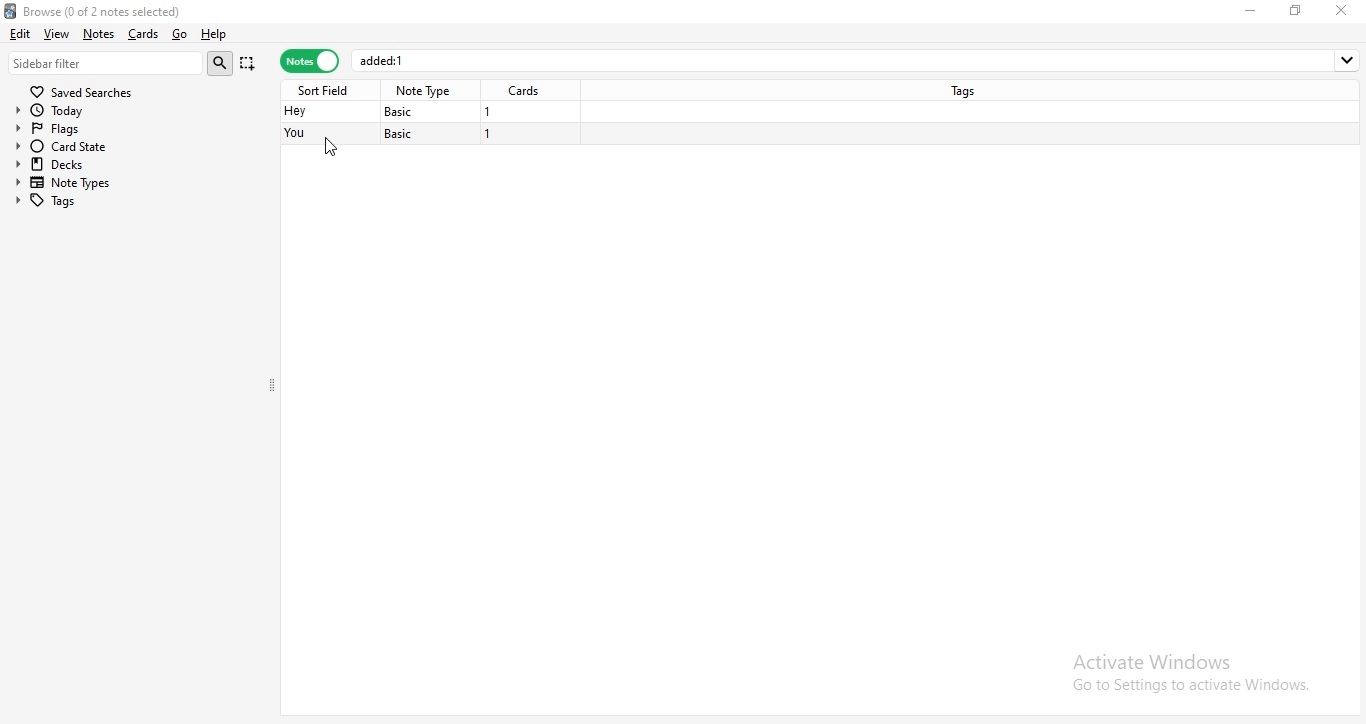  What do you see at coordinates (249, 65) in the screenshot?
I see `append` at bounding box center [249, 65].